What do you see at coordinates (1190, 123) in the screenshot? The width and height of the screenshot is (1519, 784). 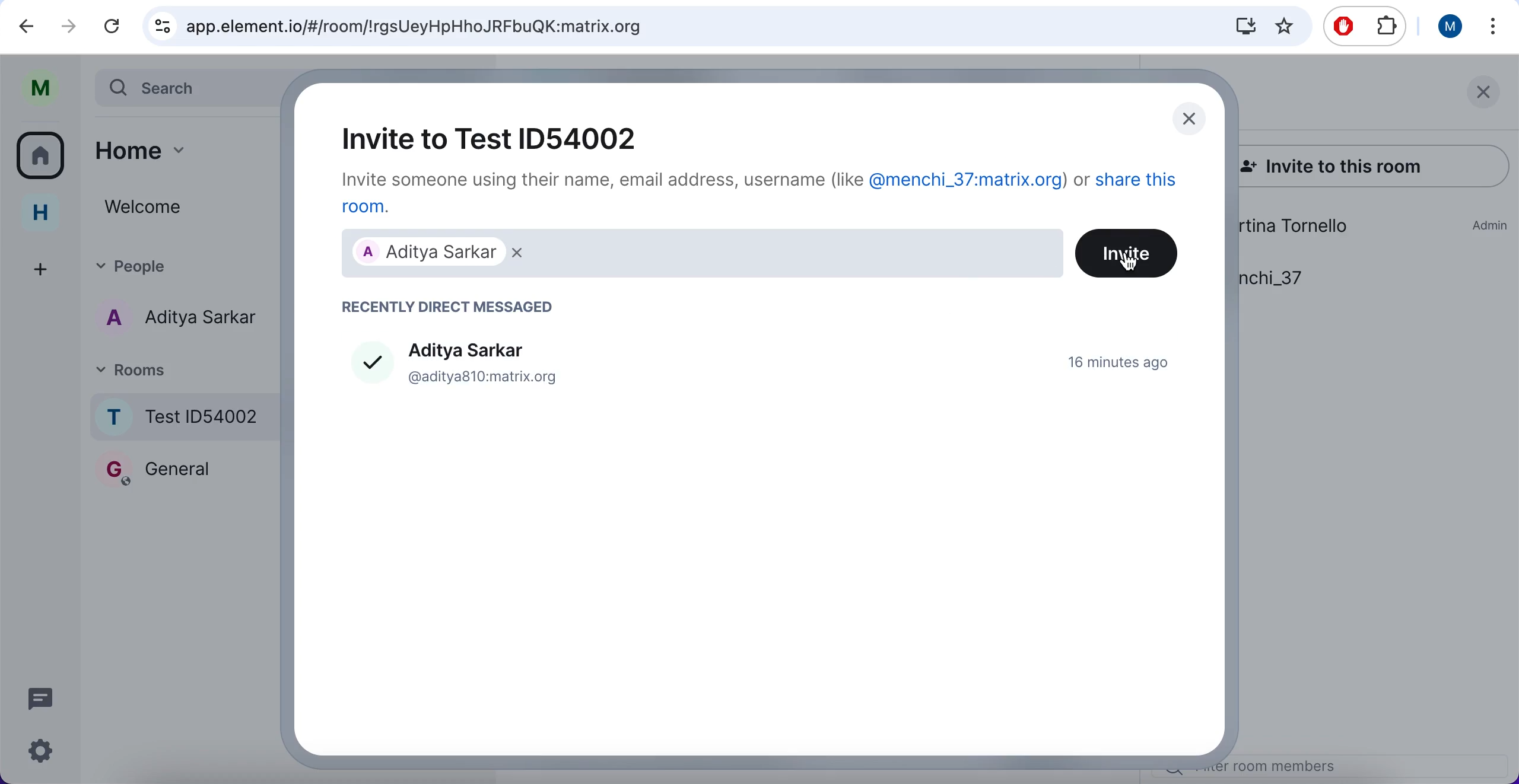 I see `close` at bounding box center [1190, 123].